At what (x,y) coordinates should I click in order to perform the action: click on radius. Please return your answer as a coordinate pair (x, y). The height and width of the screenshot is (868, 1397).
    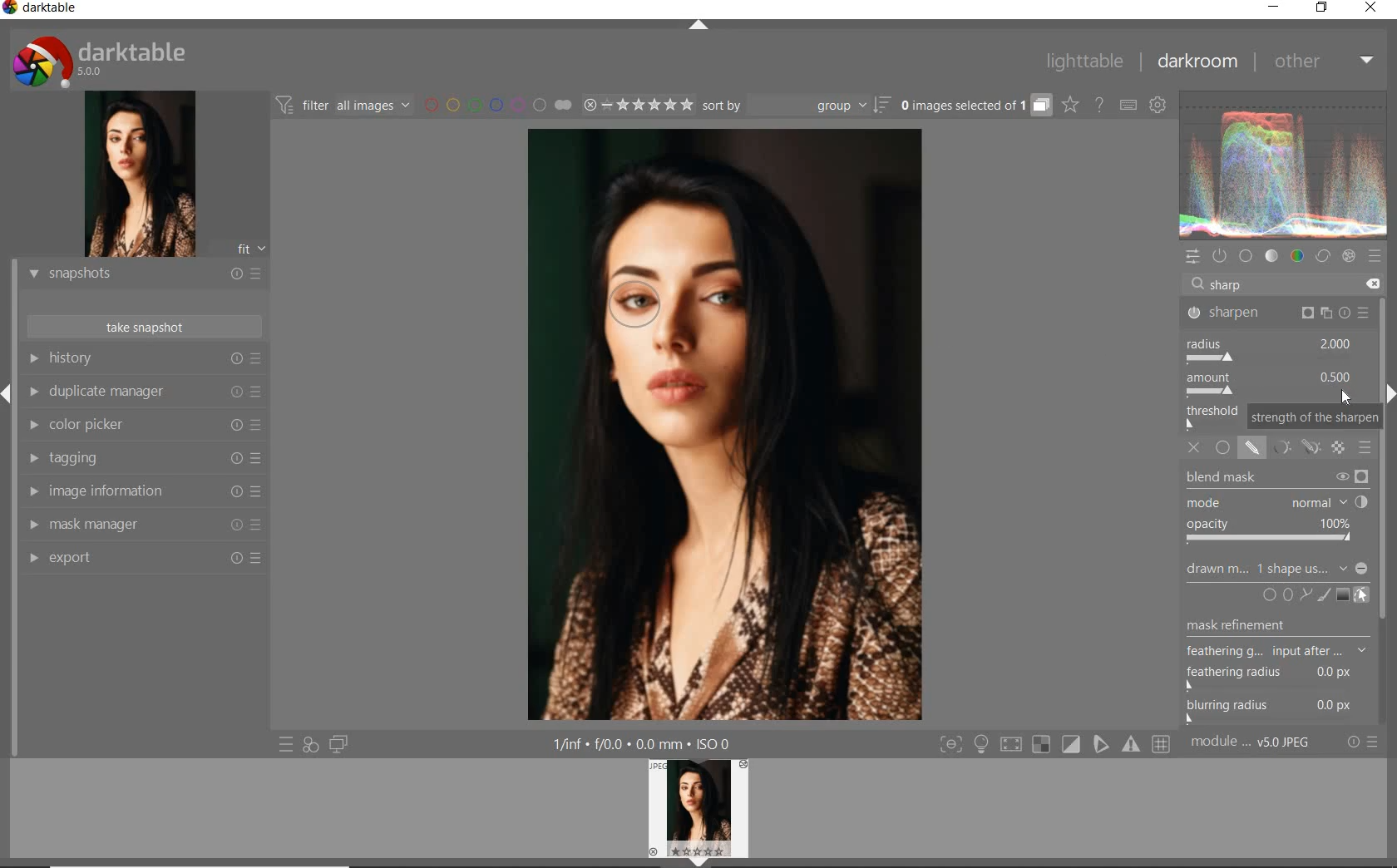
    Looking at the image, I should click on (1275, 350).